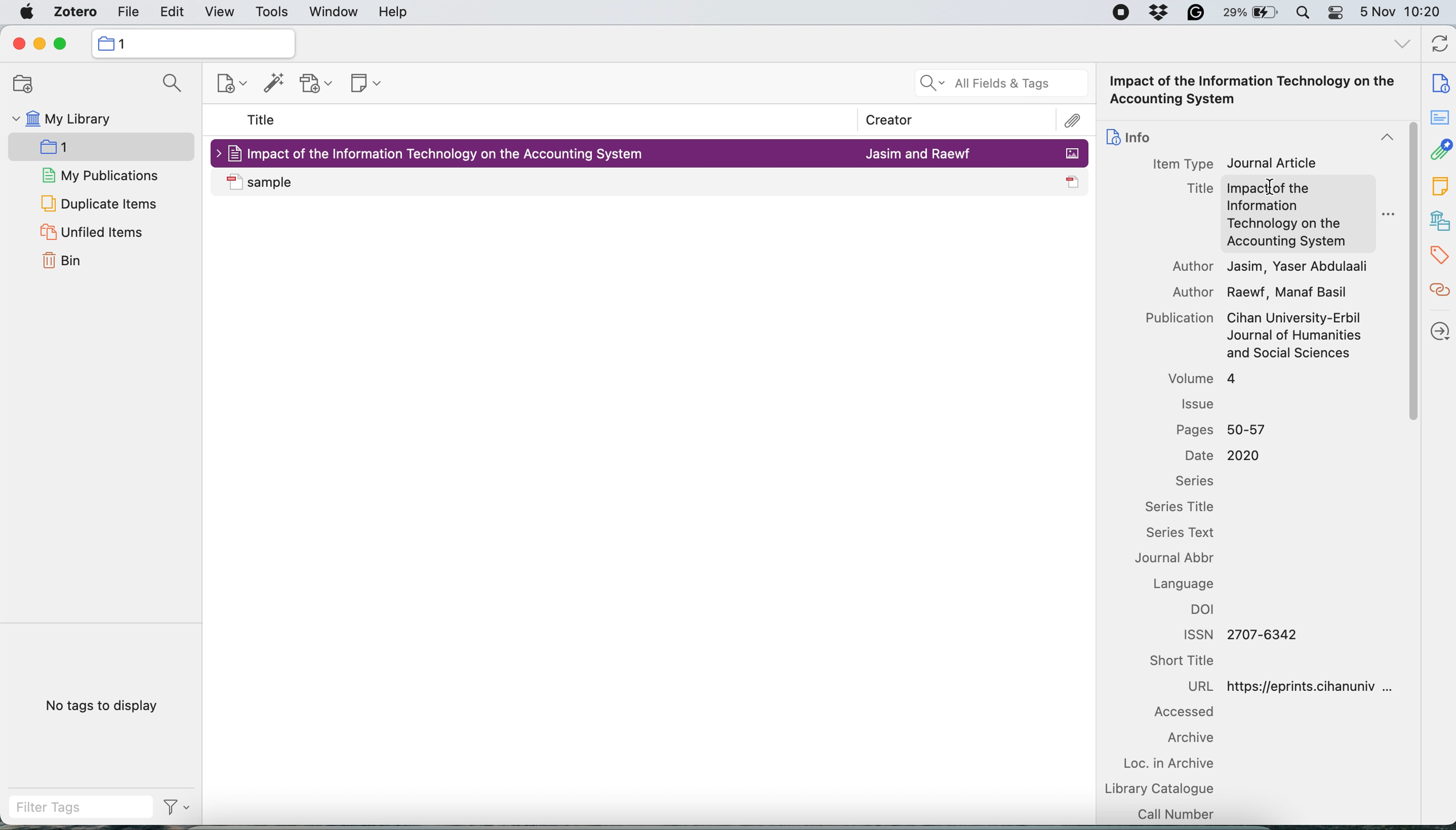 Image resolution: width=1456 pixels, height=830 pixels. I want to click on help, so click(395, 13).